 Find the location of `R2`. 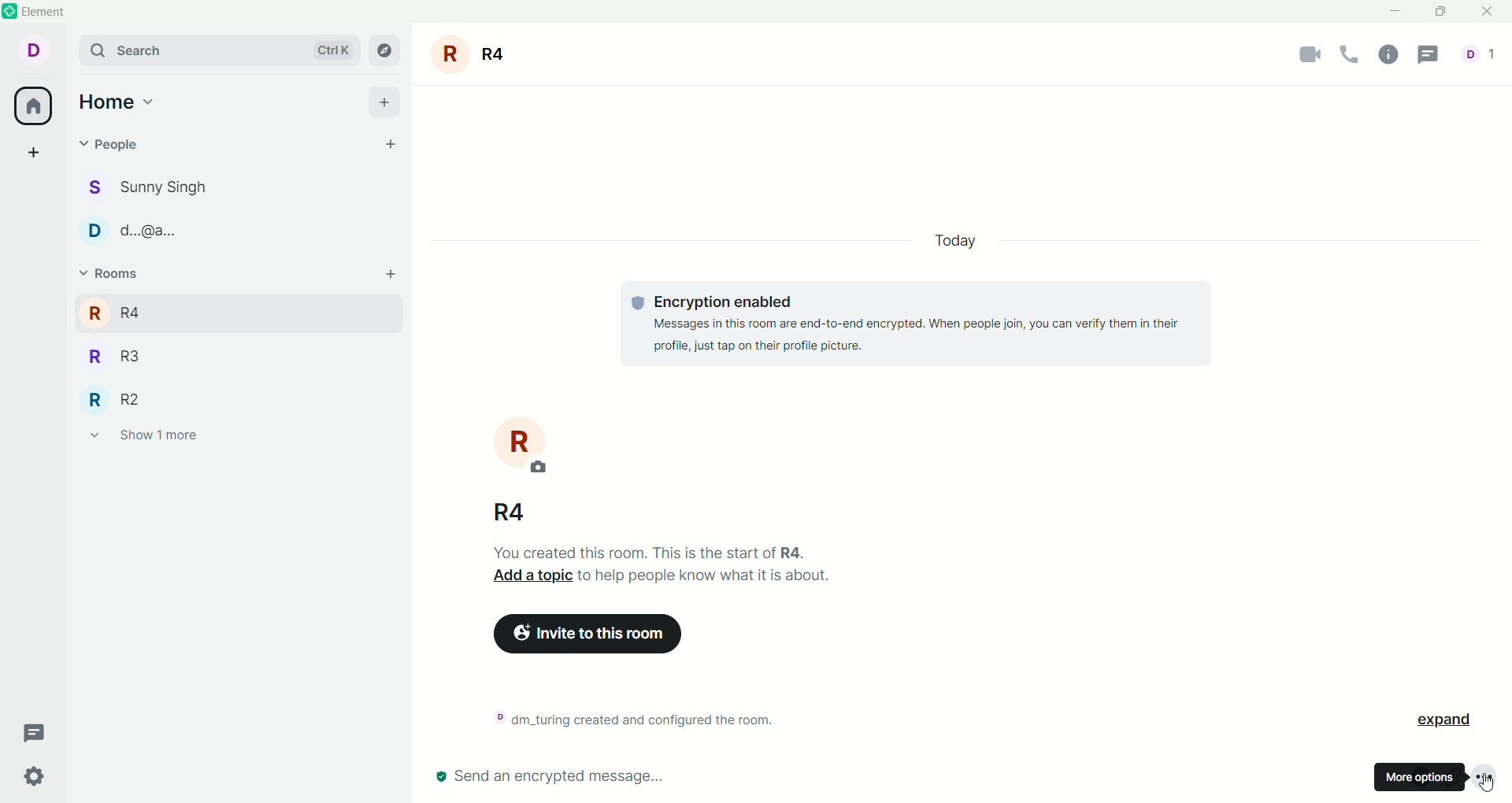

R2 is located at coordinates (133, 398).